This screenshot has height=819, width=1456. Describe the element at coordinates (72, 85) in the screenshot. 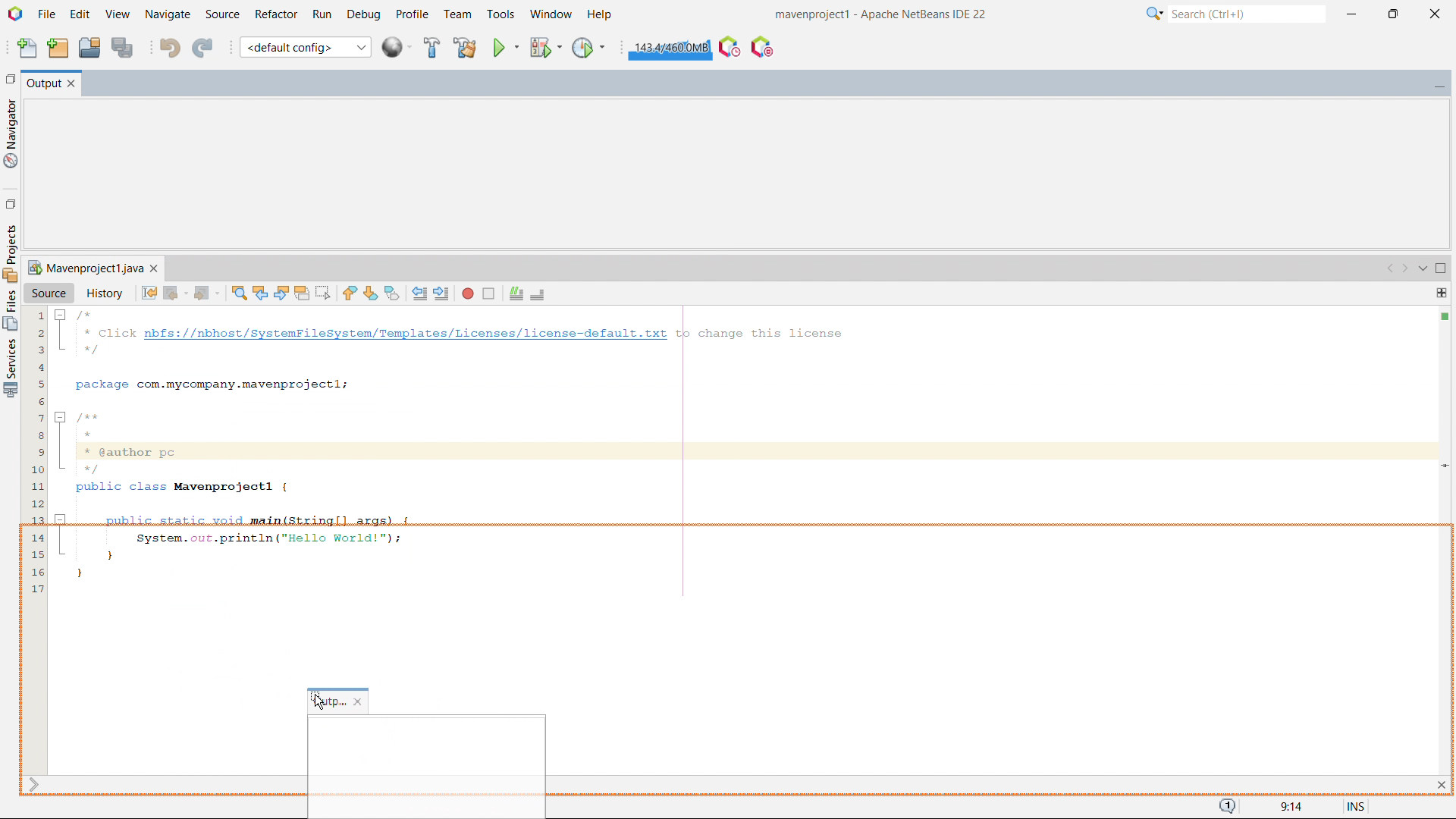

I see `close output window` at that location.